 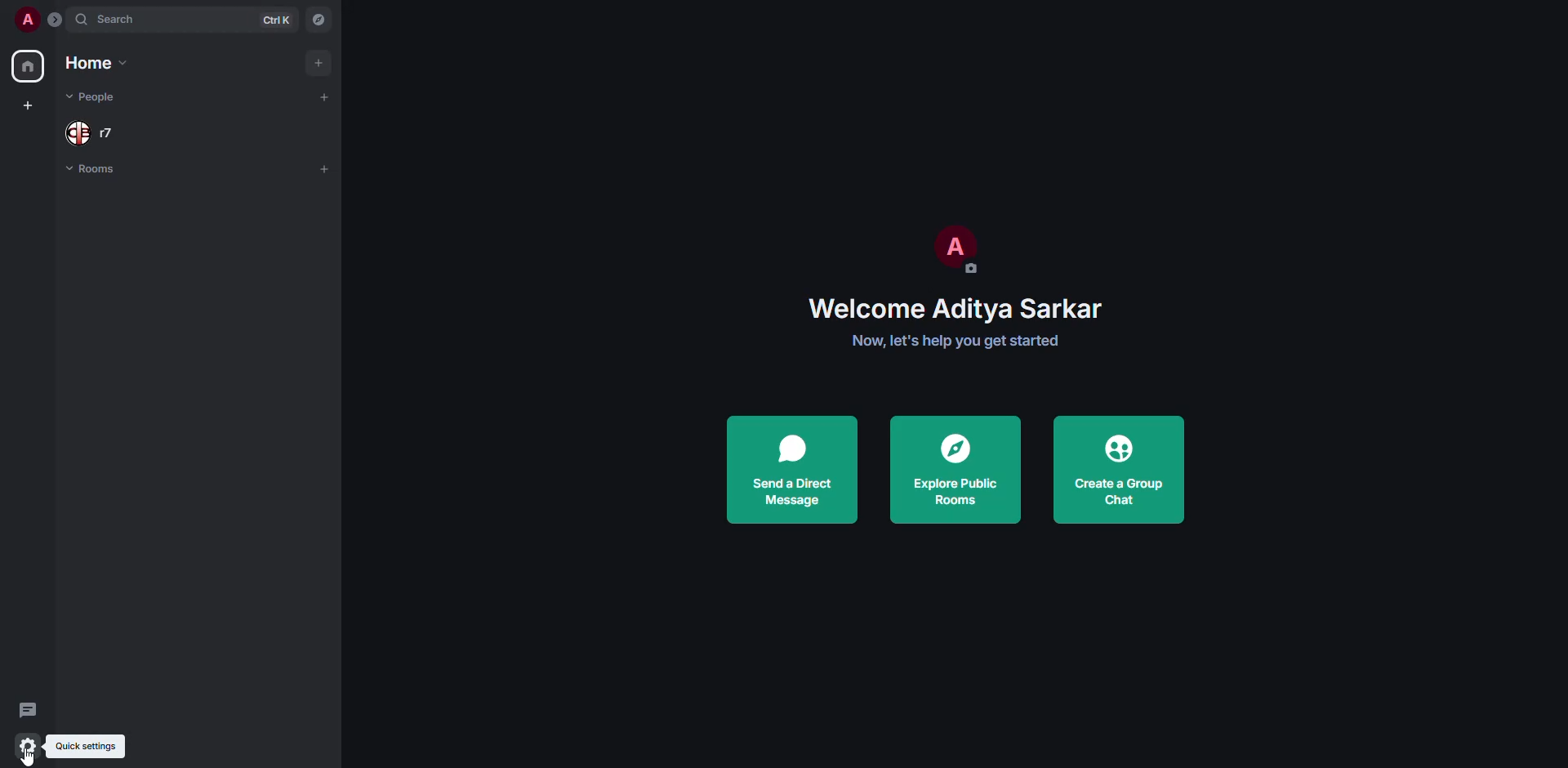 I want to click on profile, so click(x=960, y=250).